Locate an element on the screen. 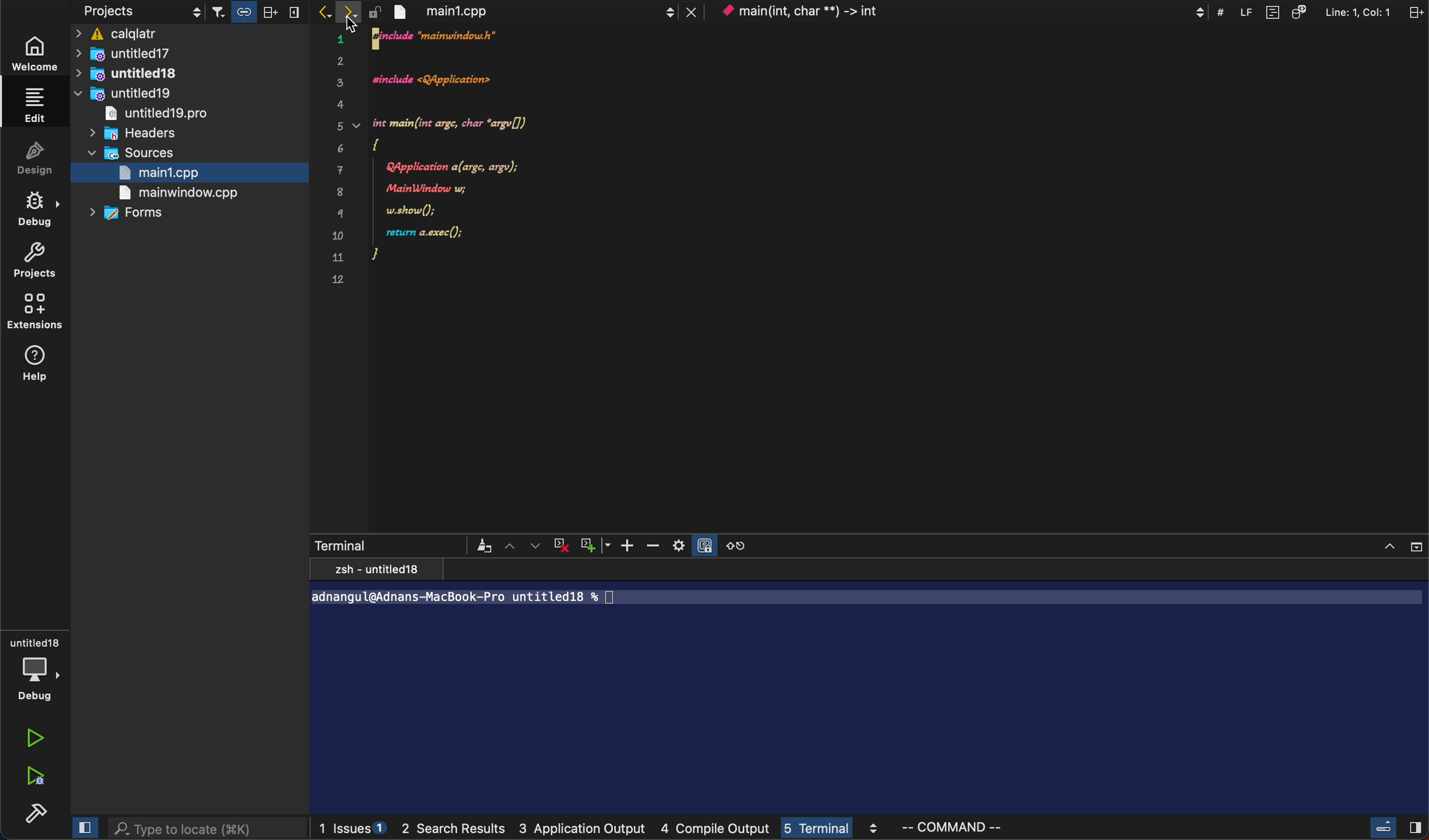 This screenshot has width=1429, height=840. issues is located at coordinates (352, 829).